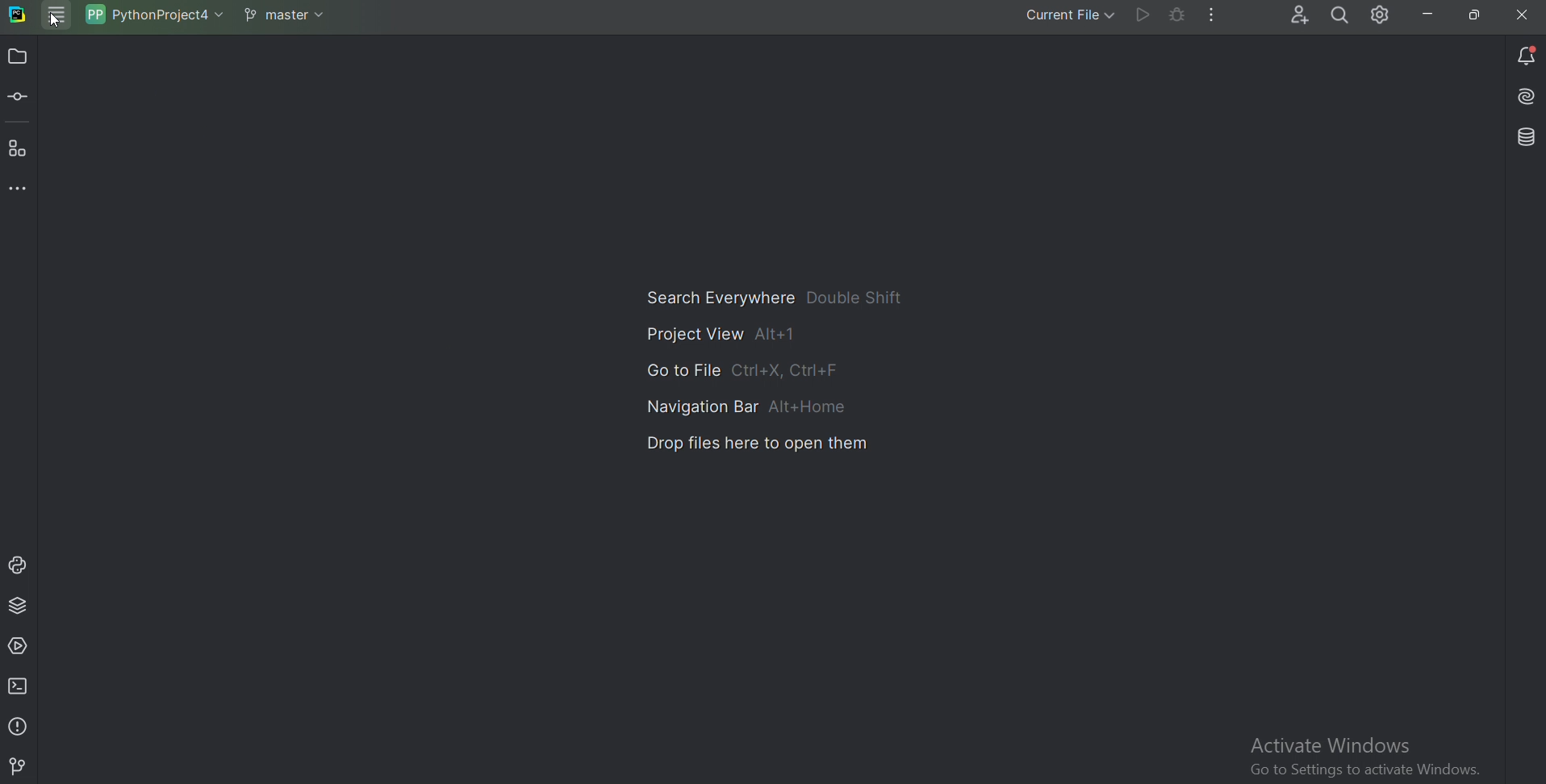 This screenshot has width=1546, height=784. Describe the element at coordinates (1059, 15) in the screenshot. I see `Current file` at that location.